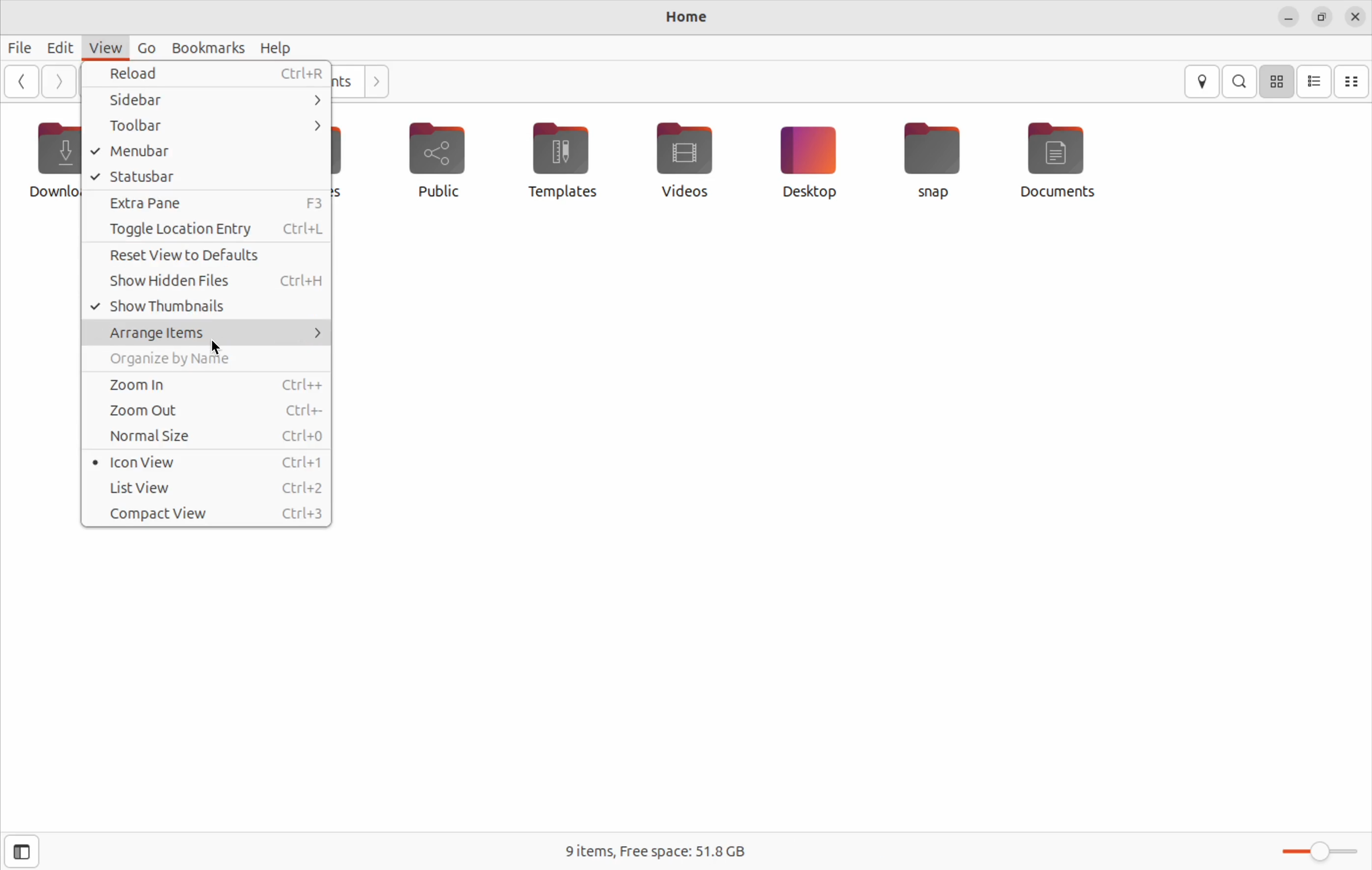  I want to click on minimize, so click(1287, 18).